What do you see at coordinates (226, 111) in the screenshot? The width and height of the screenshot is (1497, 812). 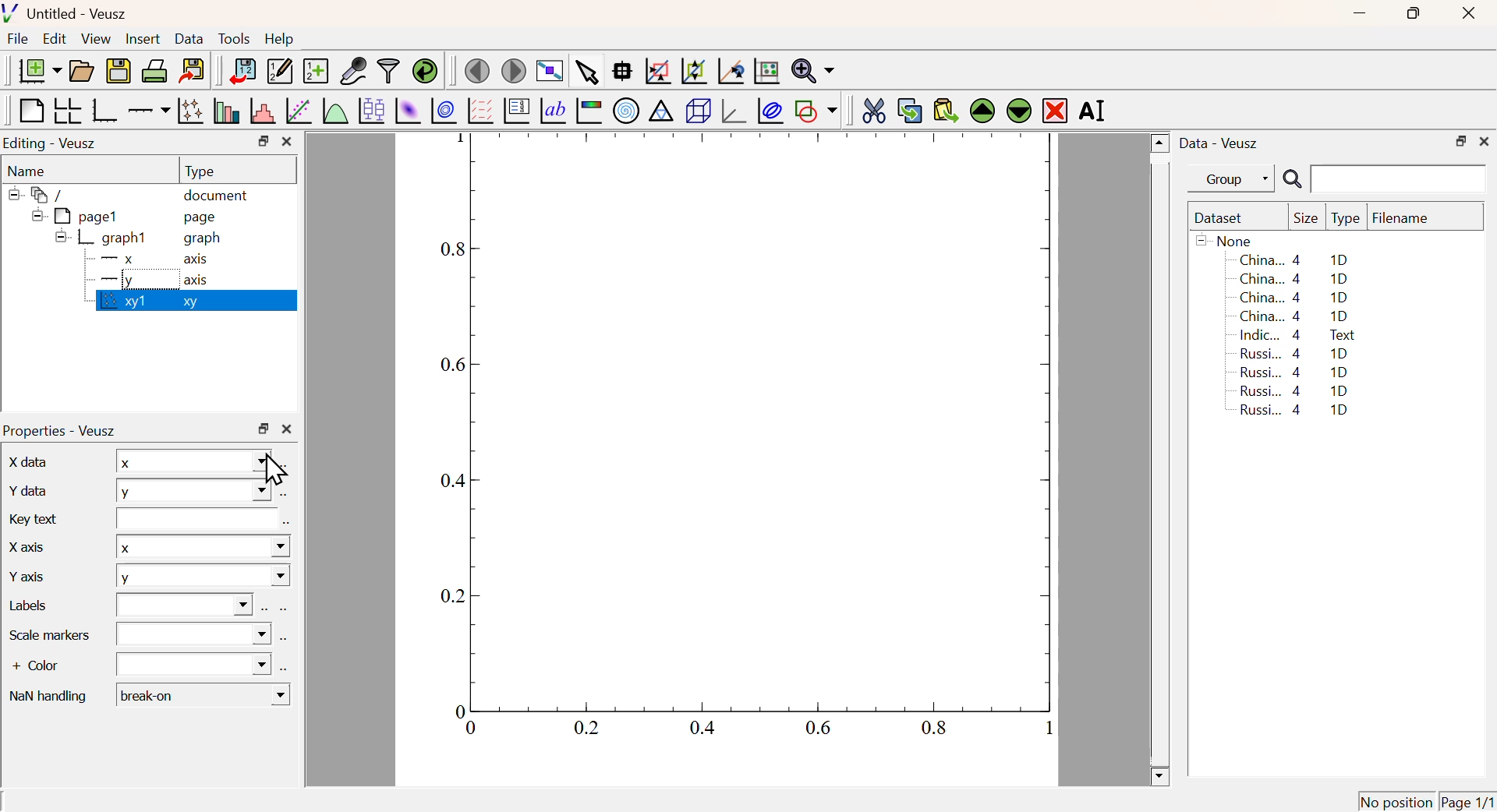 I see `Plot bar charts` at bounding box center [226, 111].